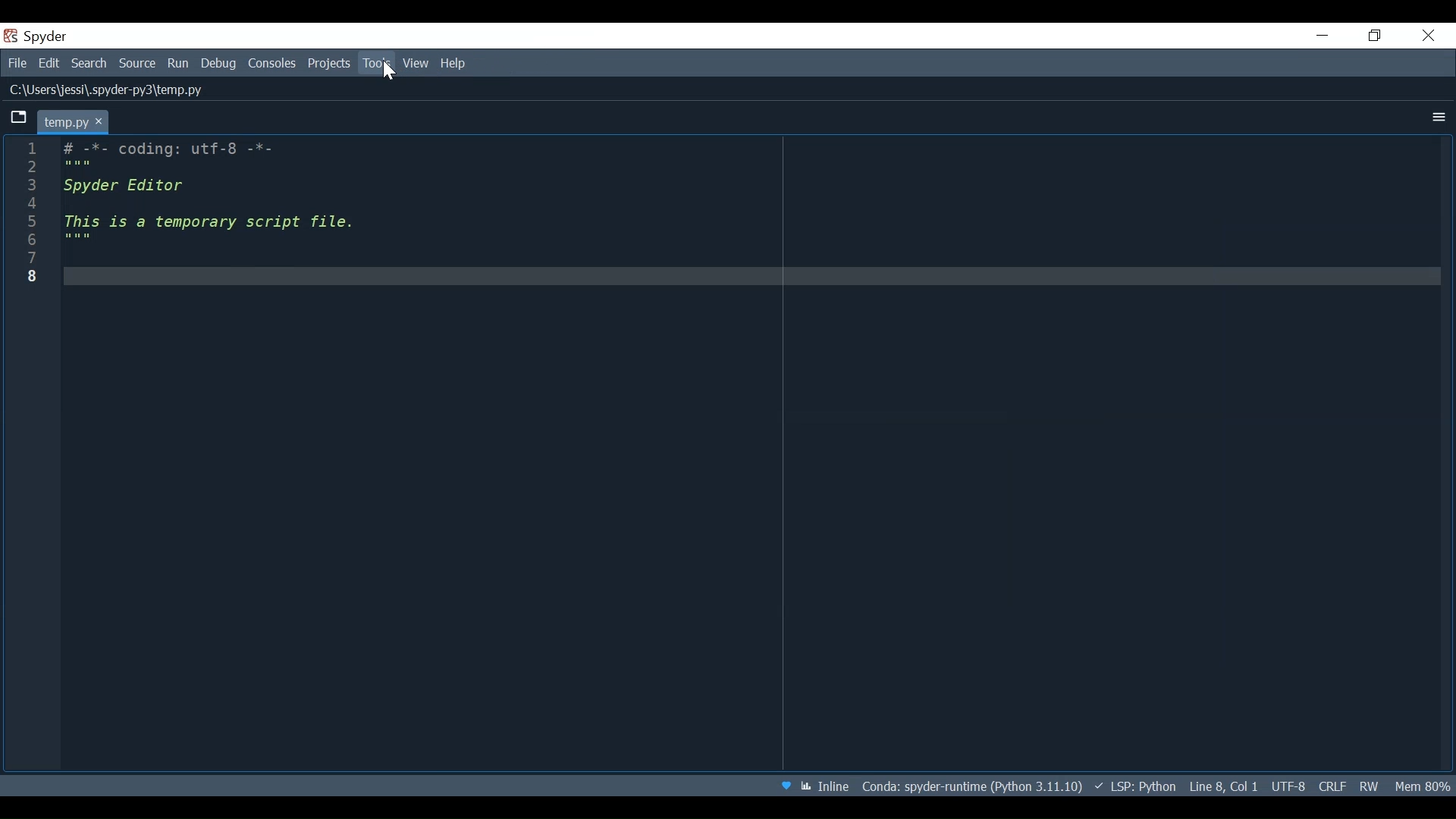  What do you see at coordinates (388, 74) in the screenshot?
I see `Cursor` at bounding box center [388, 74].